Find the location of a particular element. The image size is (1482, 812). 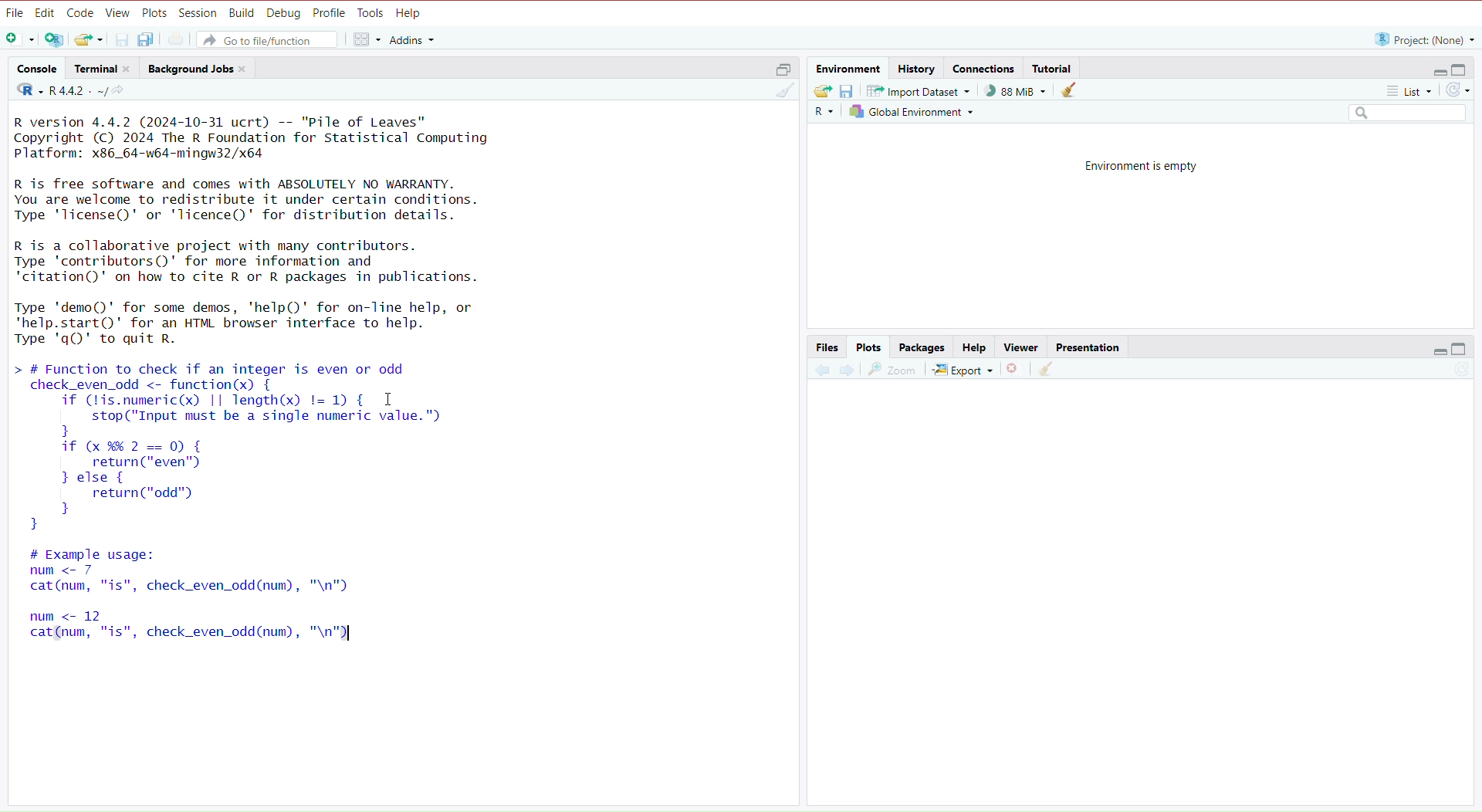

save current document is located at coordinates (123, 39).